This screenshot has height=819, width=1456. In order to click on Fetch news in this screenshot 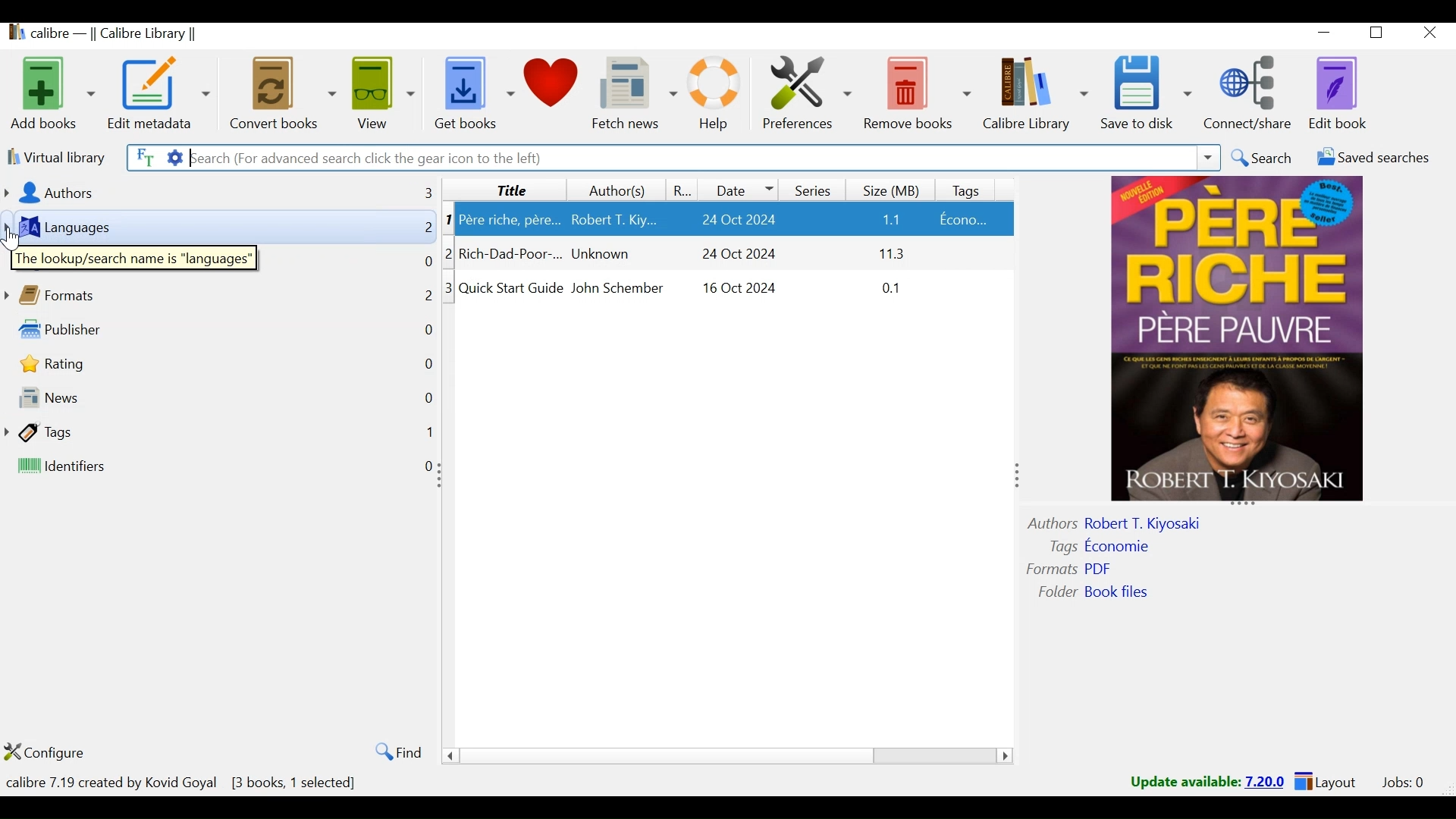, I will do `click(635, 93)`.